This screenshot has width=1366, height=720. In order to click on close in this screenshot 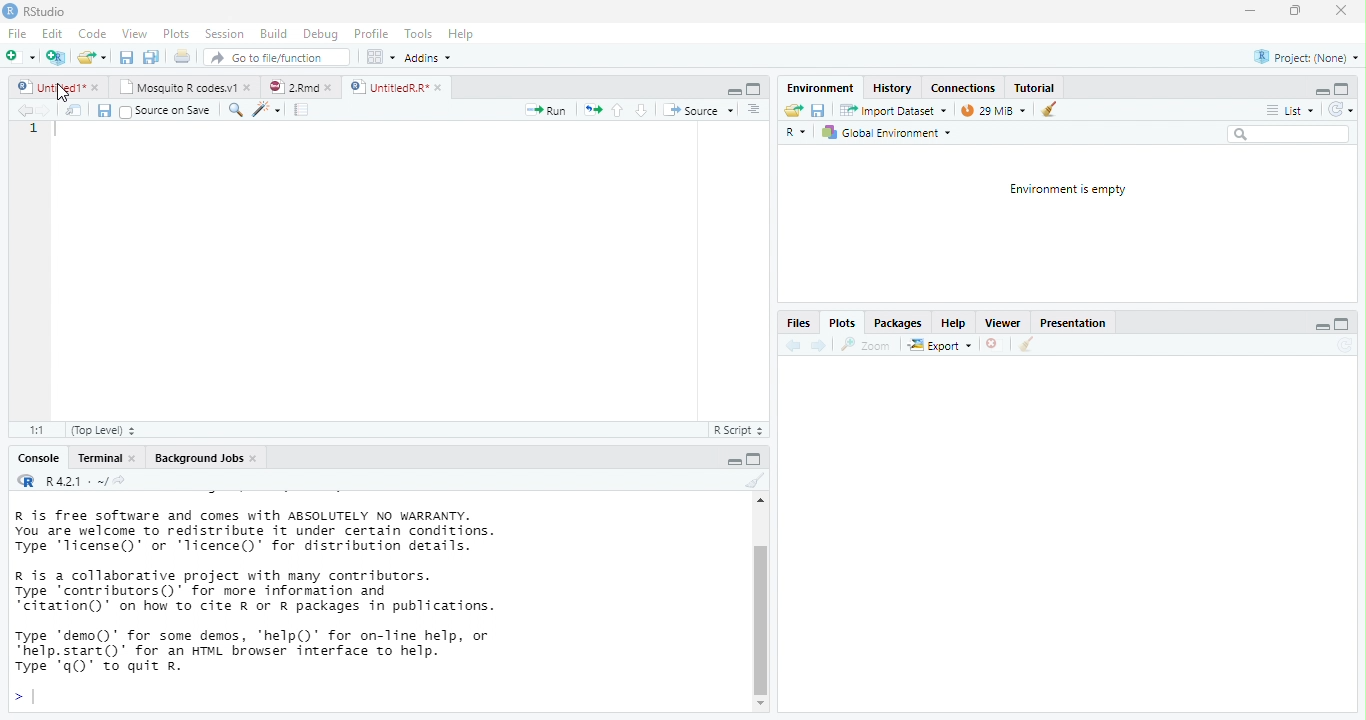, I will do `click(332, 88)`.